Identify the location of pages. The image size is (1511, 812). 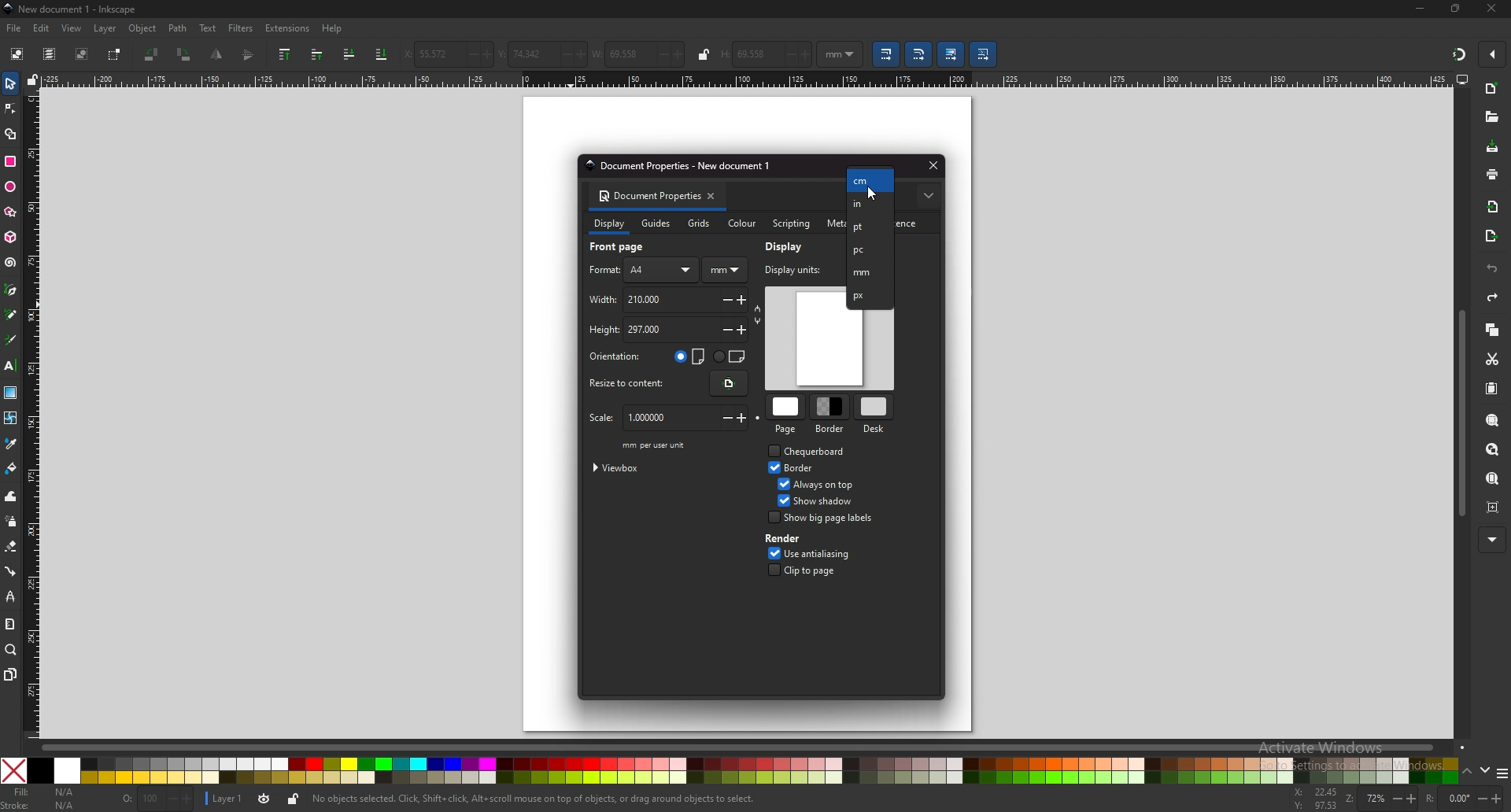
(10, 674).